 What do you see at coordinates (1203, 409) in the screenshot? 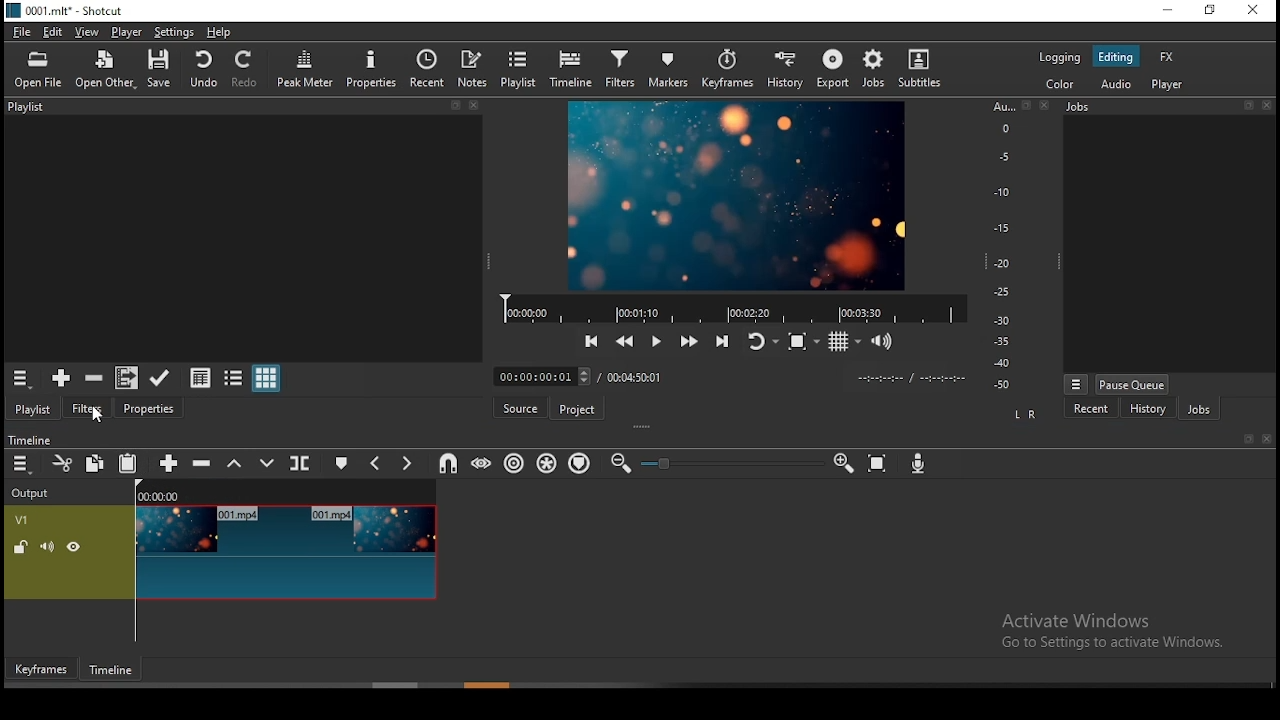
I see `jobs` at bounding box center [1203, 409].